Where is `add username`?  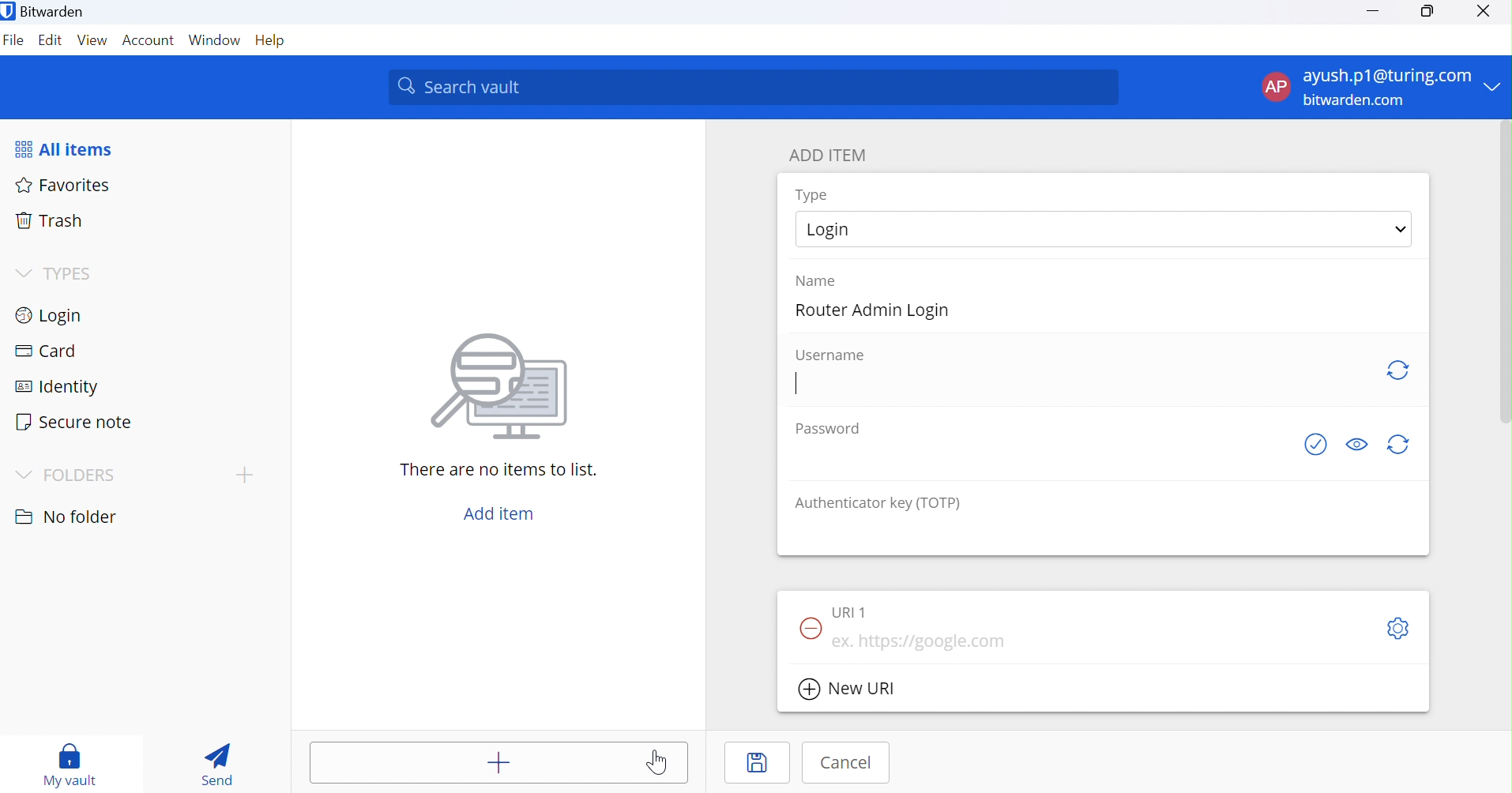 add username is located at coordinates (1081, 385).